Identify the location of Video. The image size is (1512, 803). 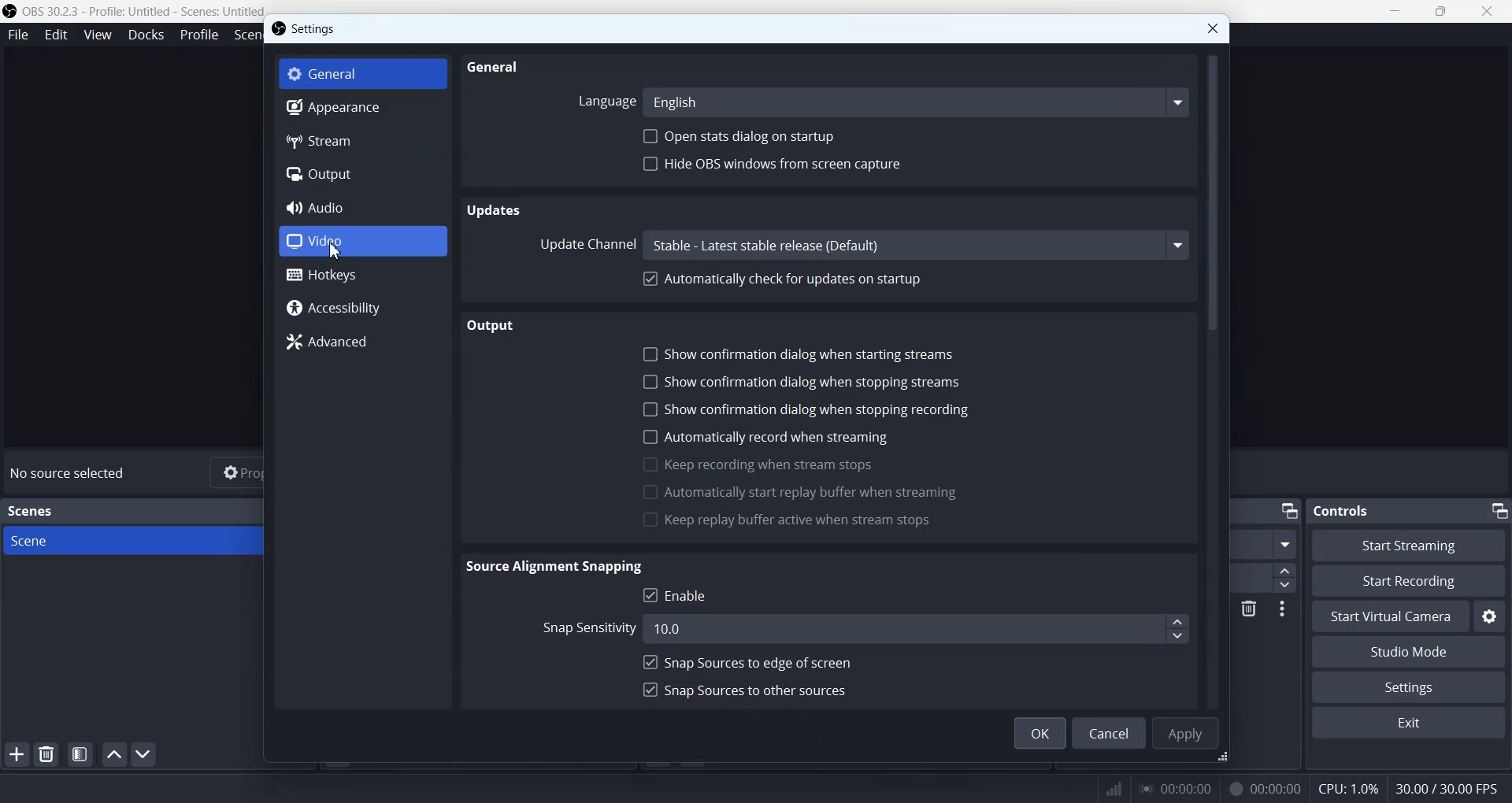
(361, 242).